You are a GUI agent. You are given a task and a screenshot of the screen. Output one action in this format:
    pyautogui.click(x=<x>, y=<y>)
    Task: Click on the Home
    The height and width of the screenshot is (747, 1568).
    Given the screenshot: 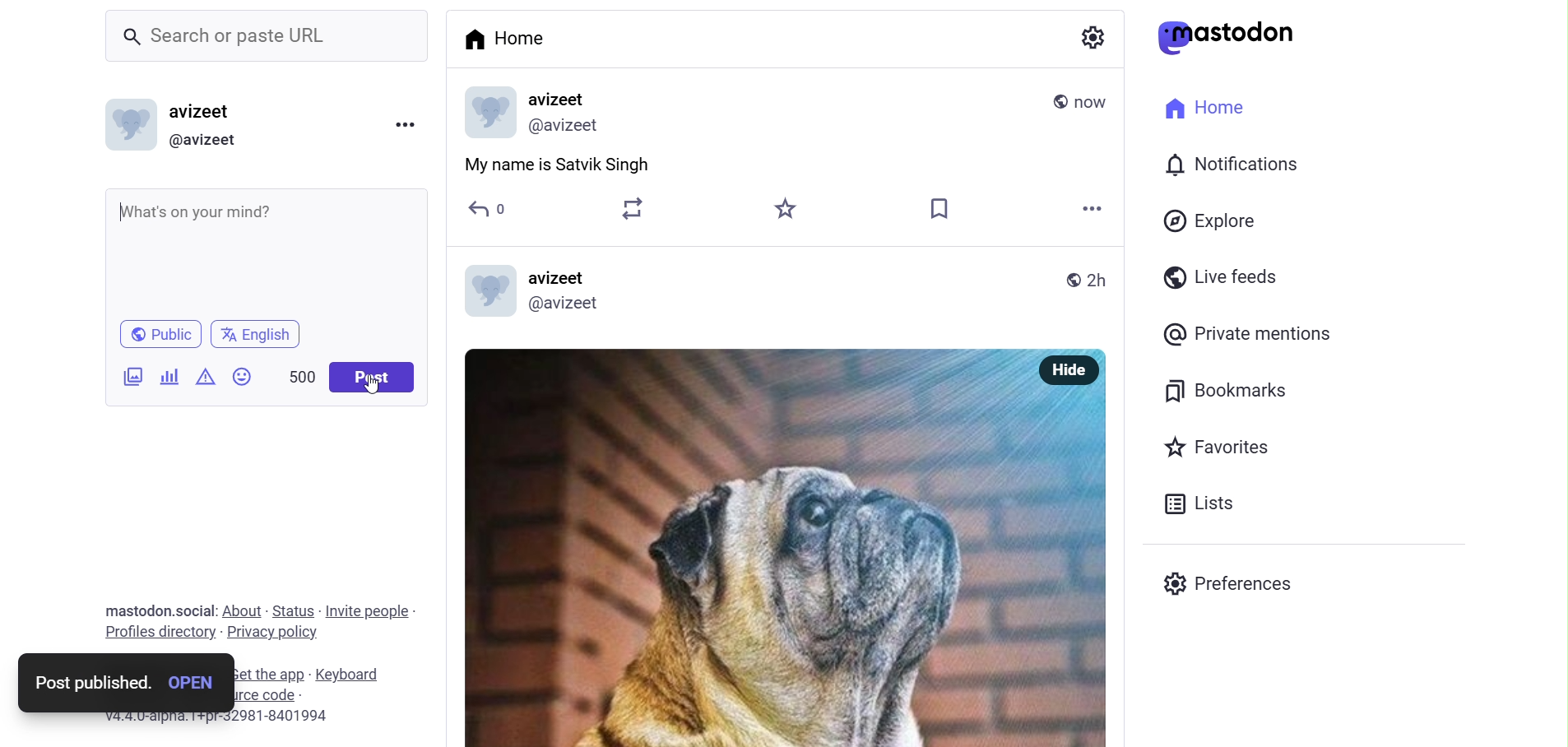 What is the action you would take?
    pyautogui.click(x=508, y=36)
    